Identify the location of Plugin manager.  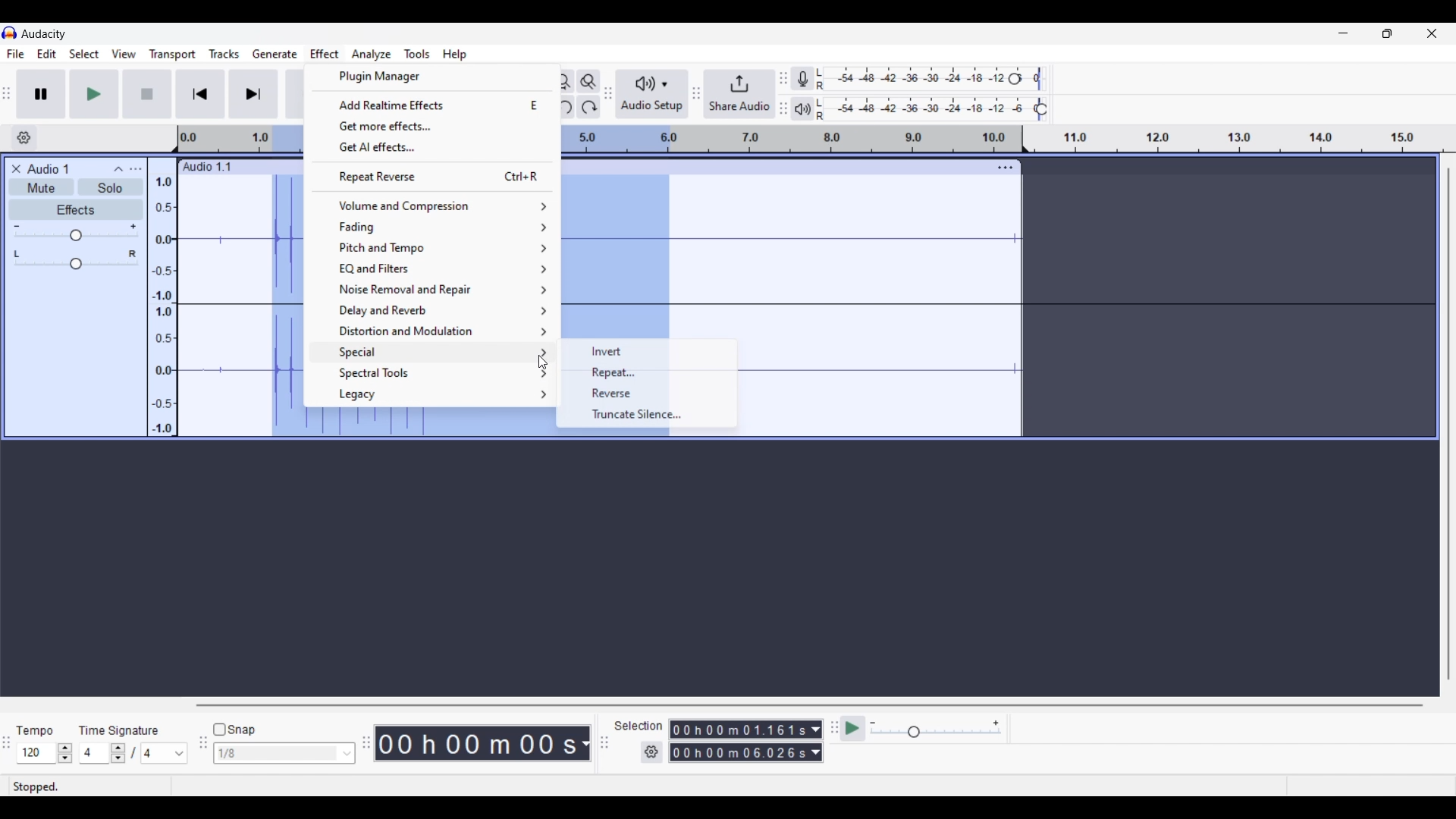
(431, 77).